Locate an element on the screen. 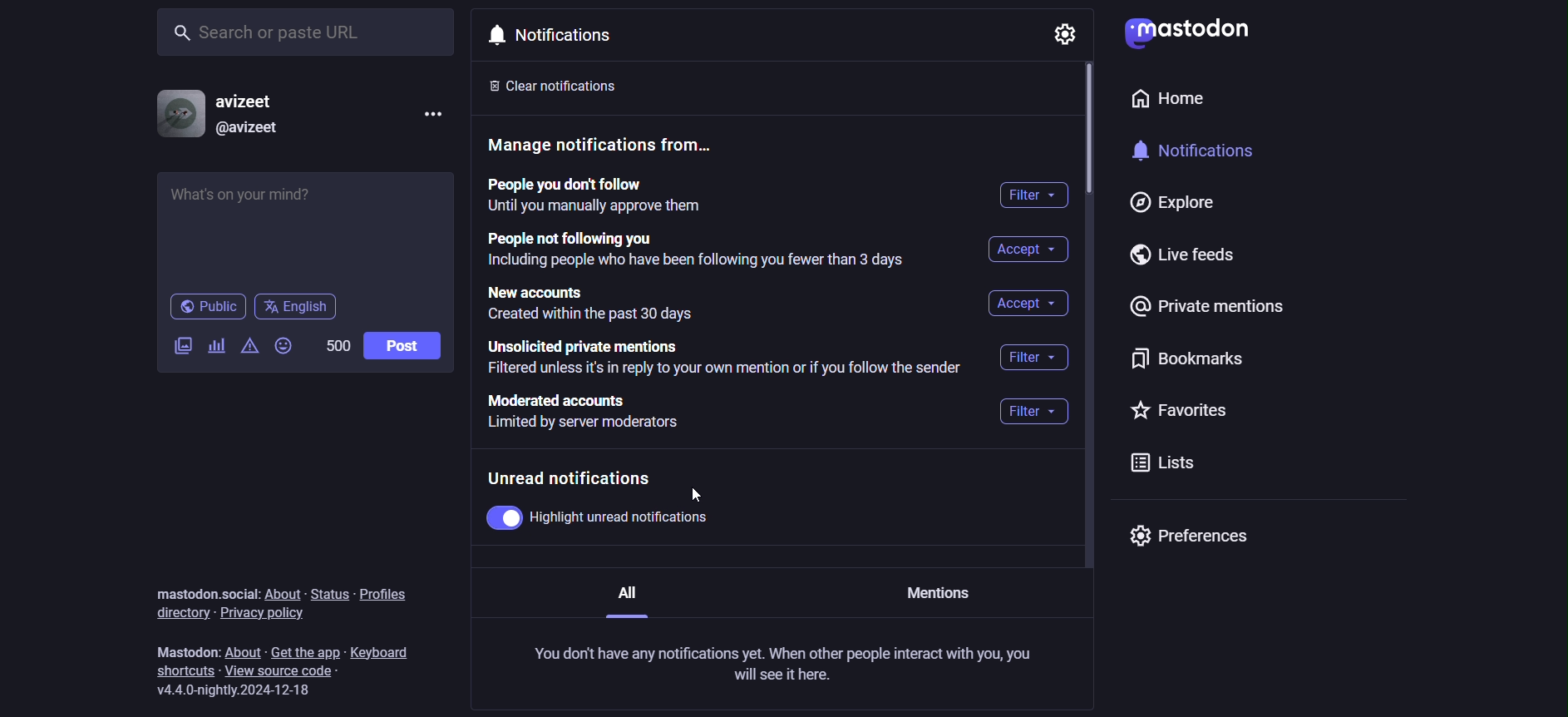 Image resolution: width=1568 pixels, height=717 pixels. Cursor is located at coordinates (701, 497).